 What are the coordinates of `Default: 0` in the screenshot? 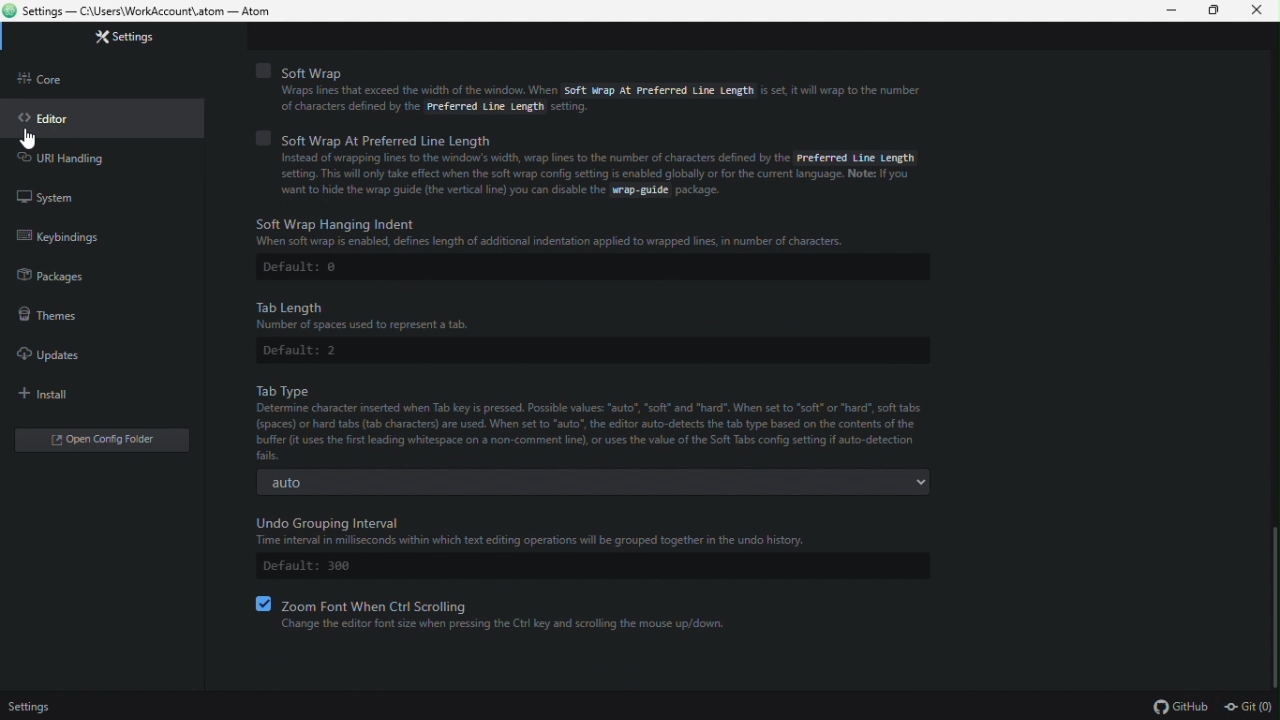 It's located at (308, 267).